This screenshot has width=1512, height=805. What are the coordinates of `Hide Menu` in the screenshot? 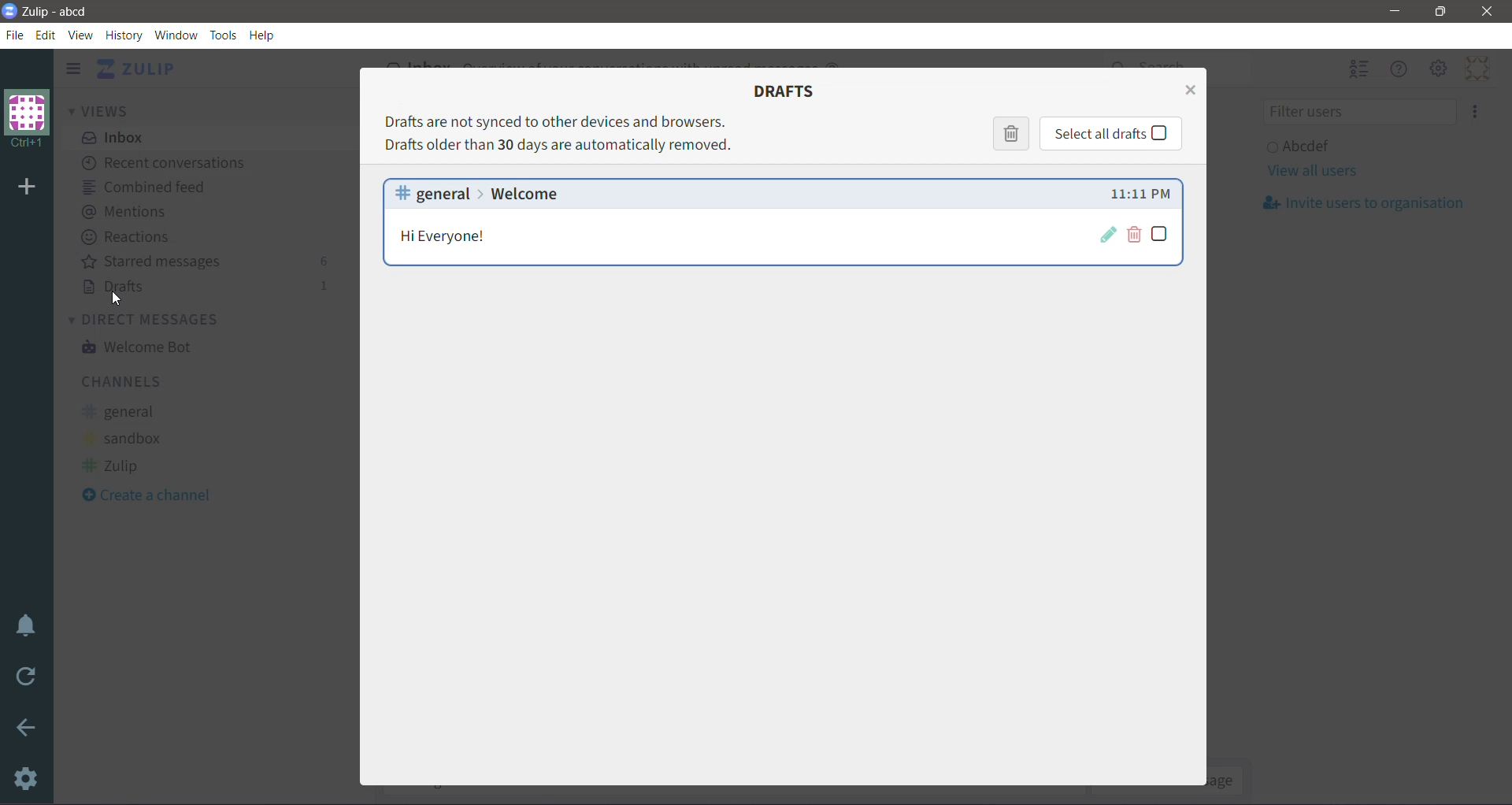 It's located at (1399, 69).